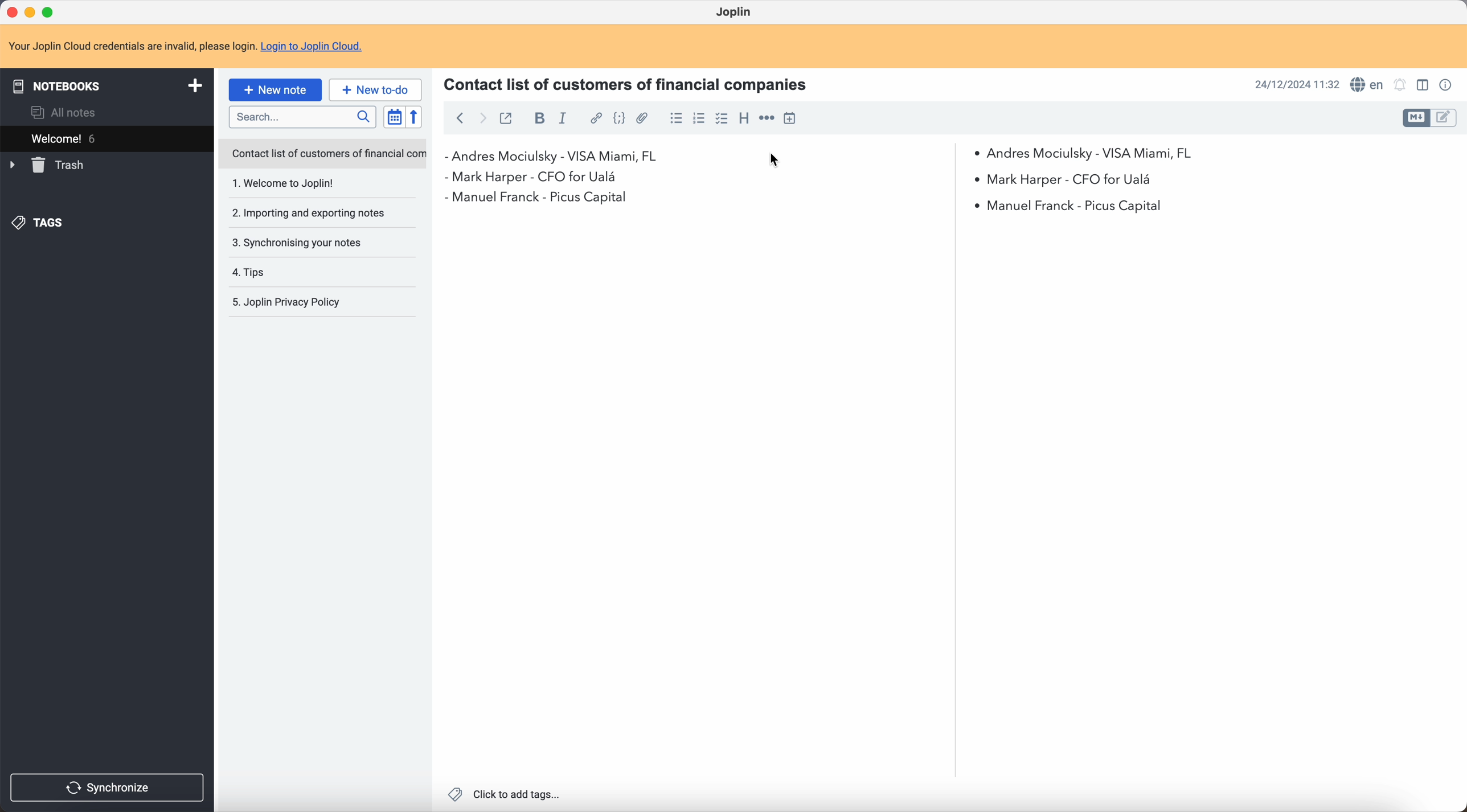 The height and width of the screenshot is (812, 1467). Describe the element at coordinates (1417, 118) in the screenshot. I see `toggle edit layout` at that location.